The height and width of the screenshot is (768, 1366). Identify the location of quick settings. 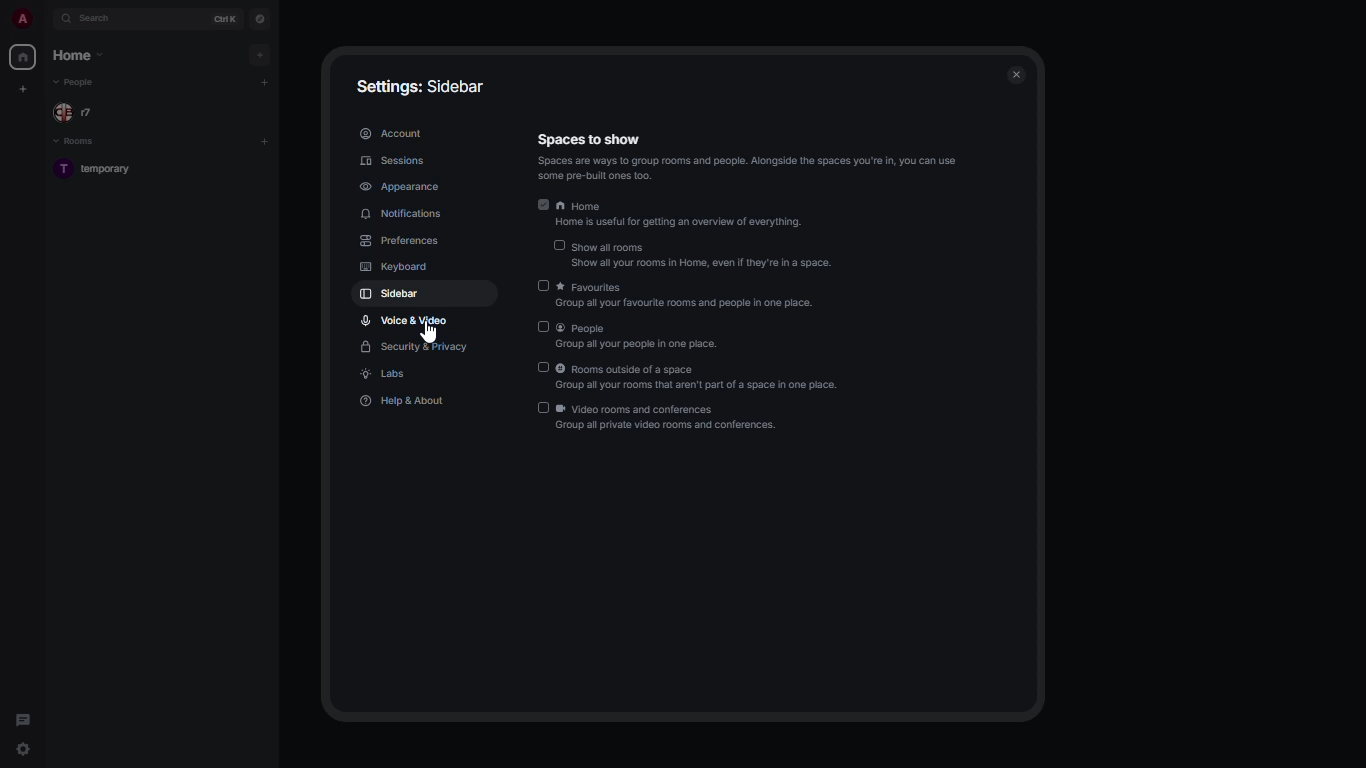
(23, 749).